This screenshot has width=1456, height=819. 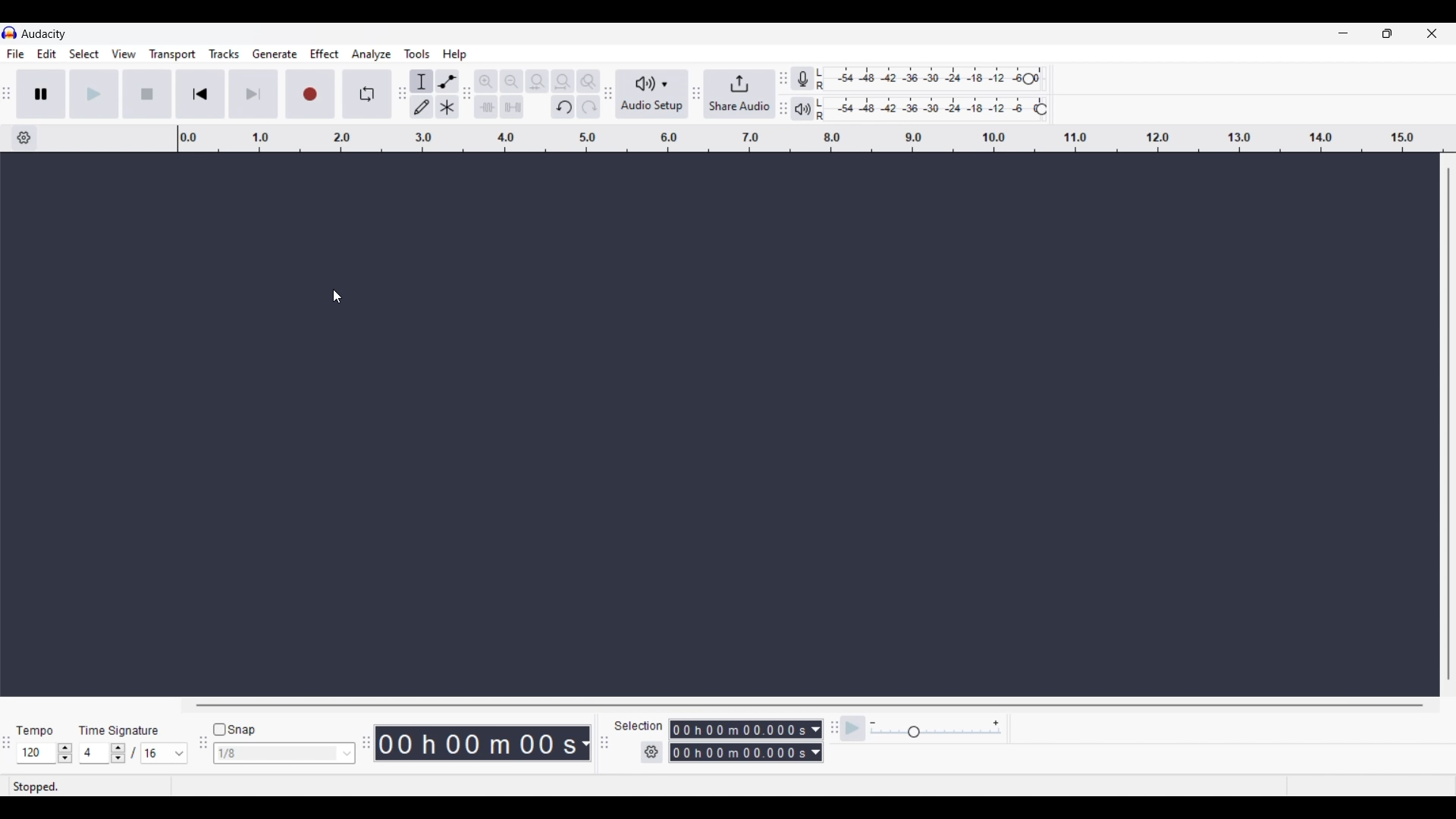 What do you see at coordinates (447, 108) in the screenshot?
I see `Multitool` at bounding box center [447, 108].